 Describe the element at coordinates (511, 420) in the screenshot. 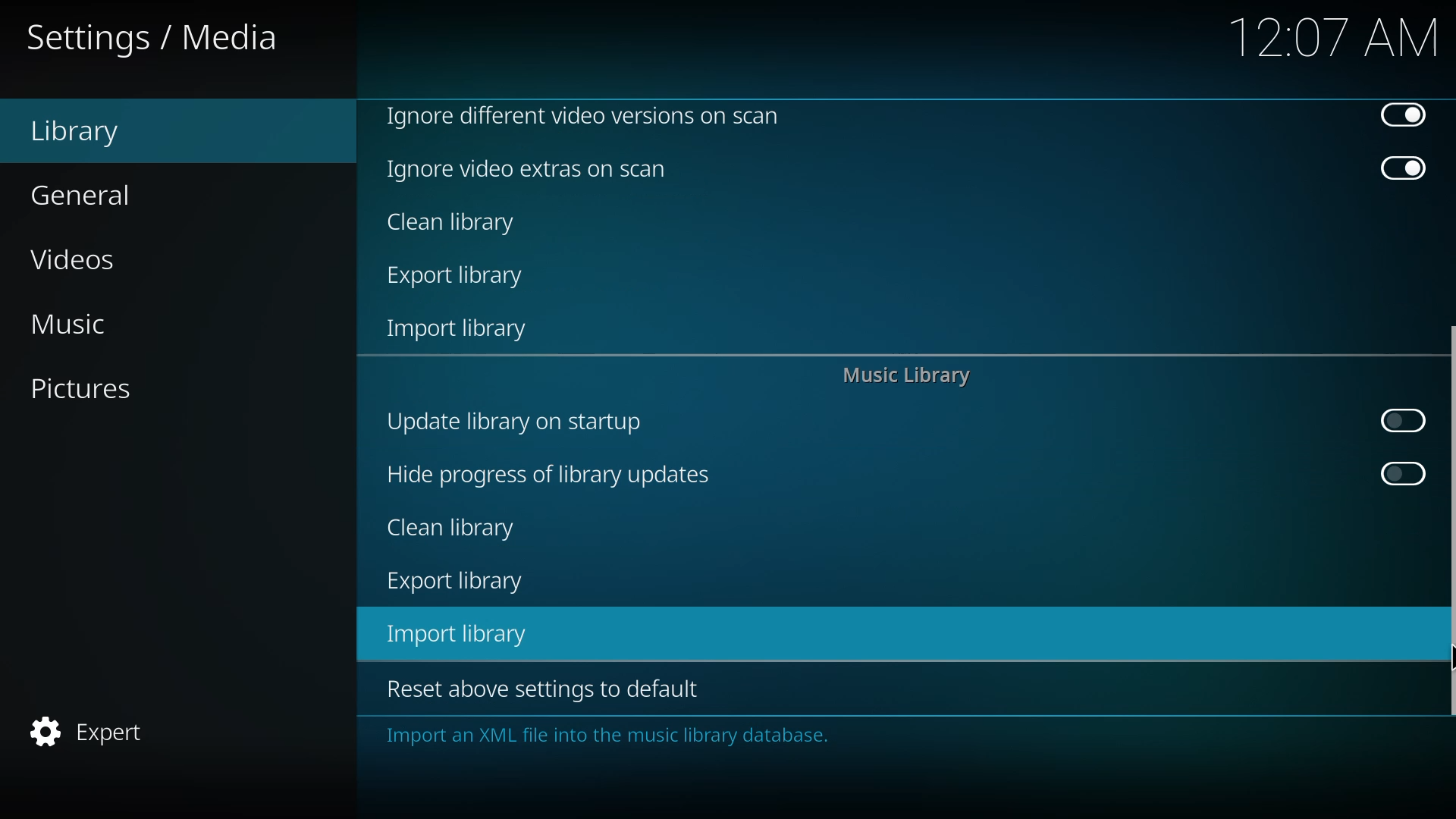

I see `update library` at that location.